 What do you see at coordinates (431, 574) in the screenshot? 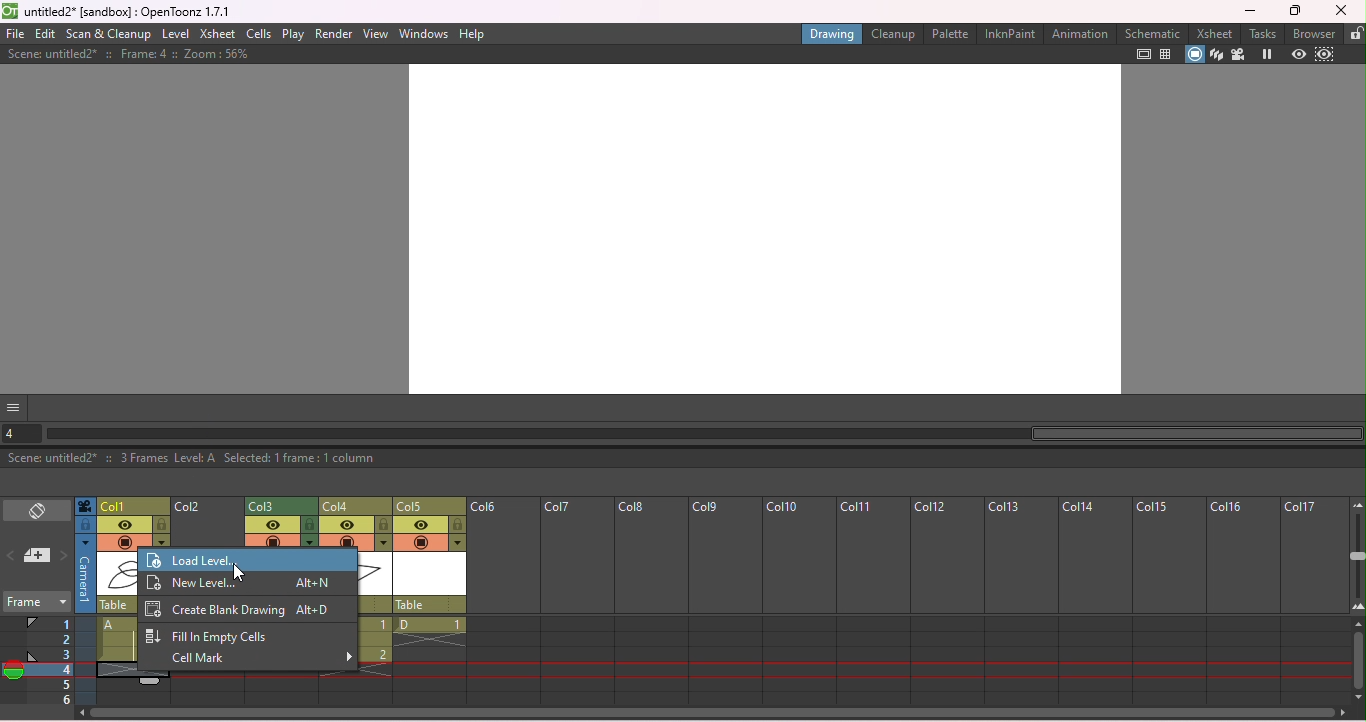
I see `scene` at bounding box center [431, 574].